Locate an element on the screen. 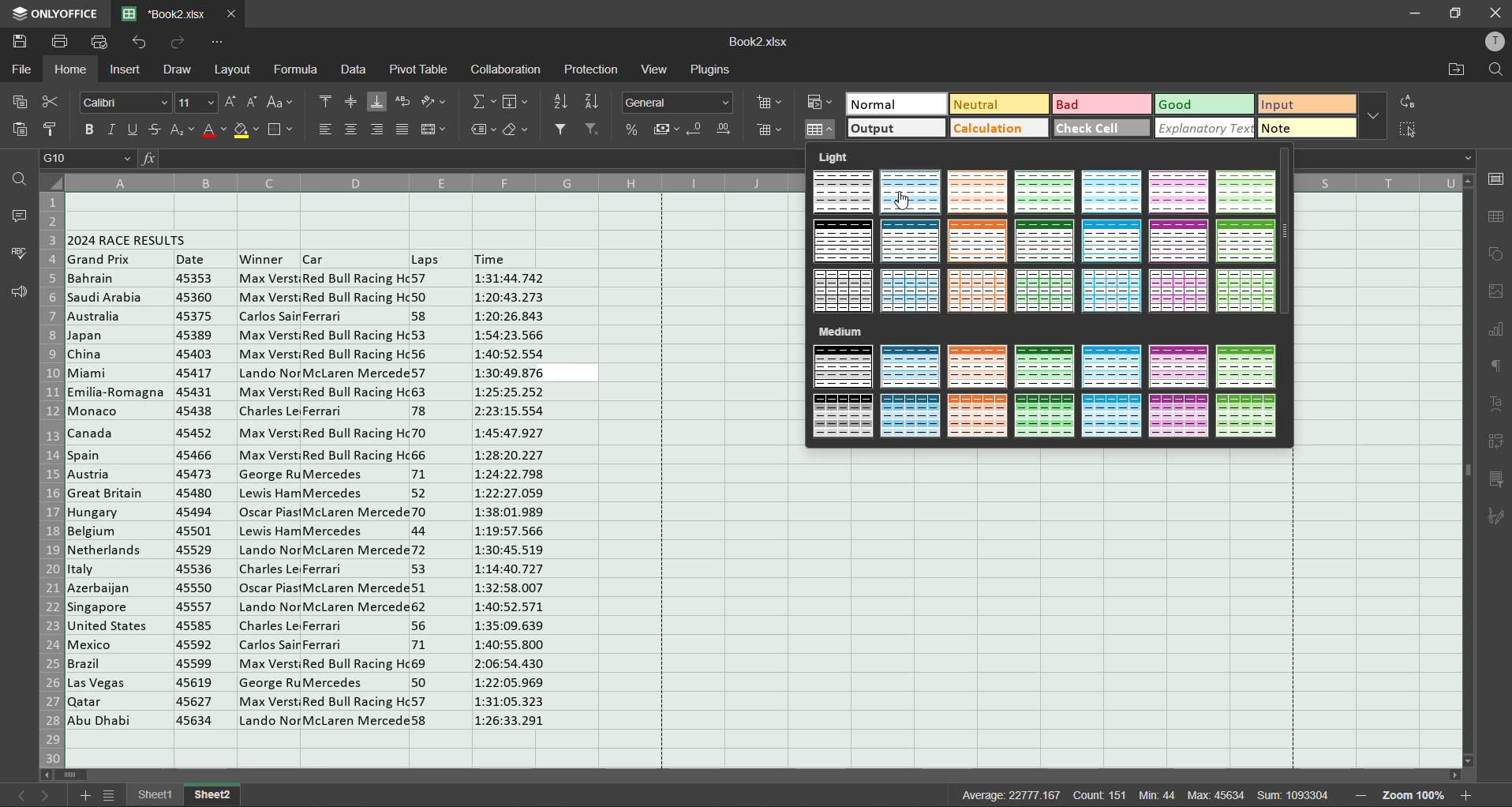  table style light 2 is located at coordinates (911, 194).